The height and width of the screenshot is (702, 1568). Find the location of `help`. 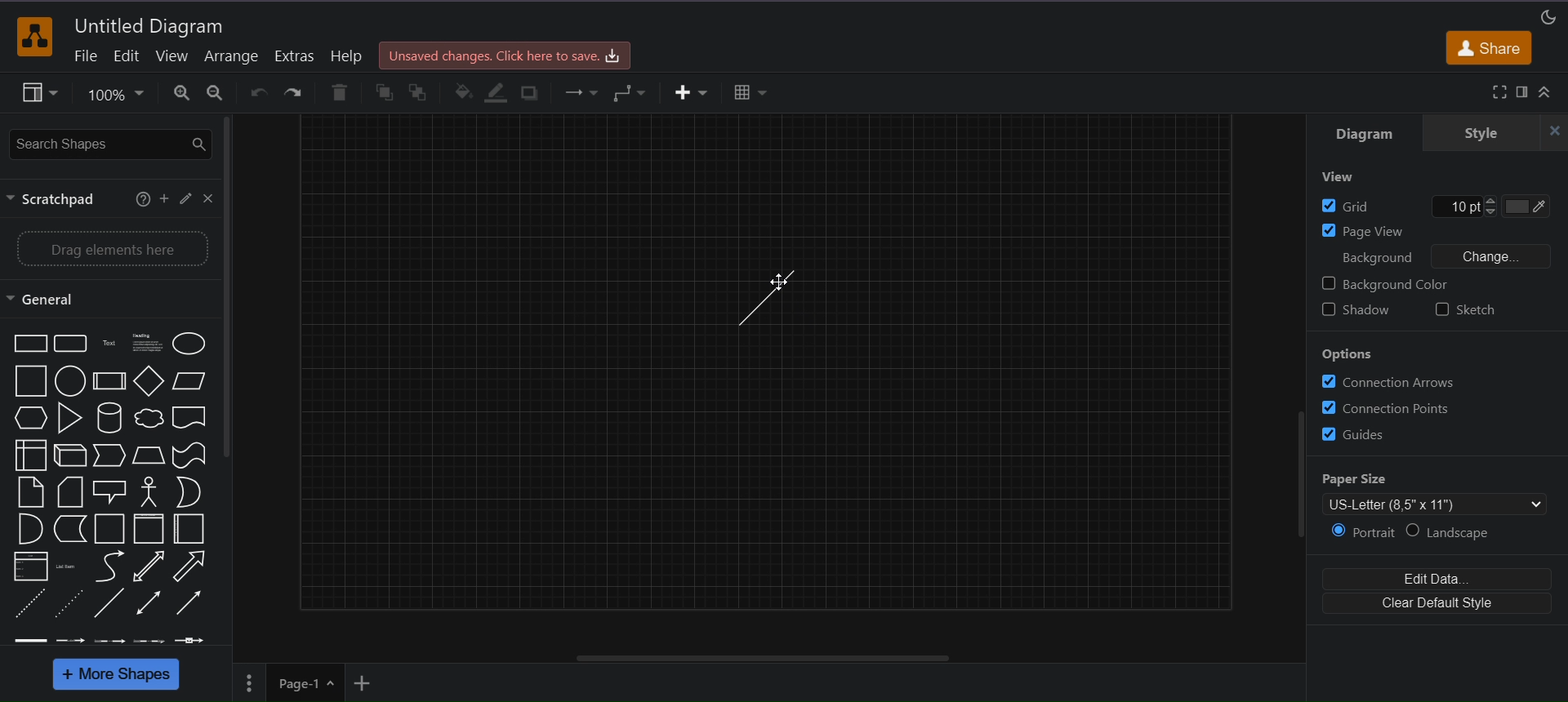

help is located at coordinates (346, 55).